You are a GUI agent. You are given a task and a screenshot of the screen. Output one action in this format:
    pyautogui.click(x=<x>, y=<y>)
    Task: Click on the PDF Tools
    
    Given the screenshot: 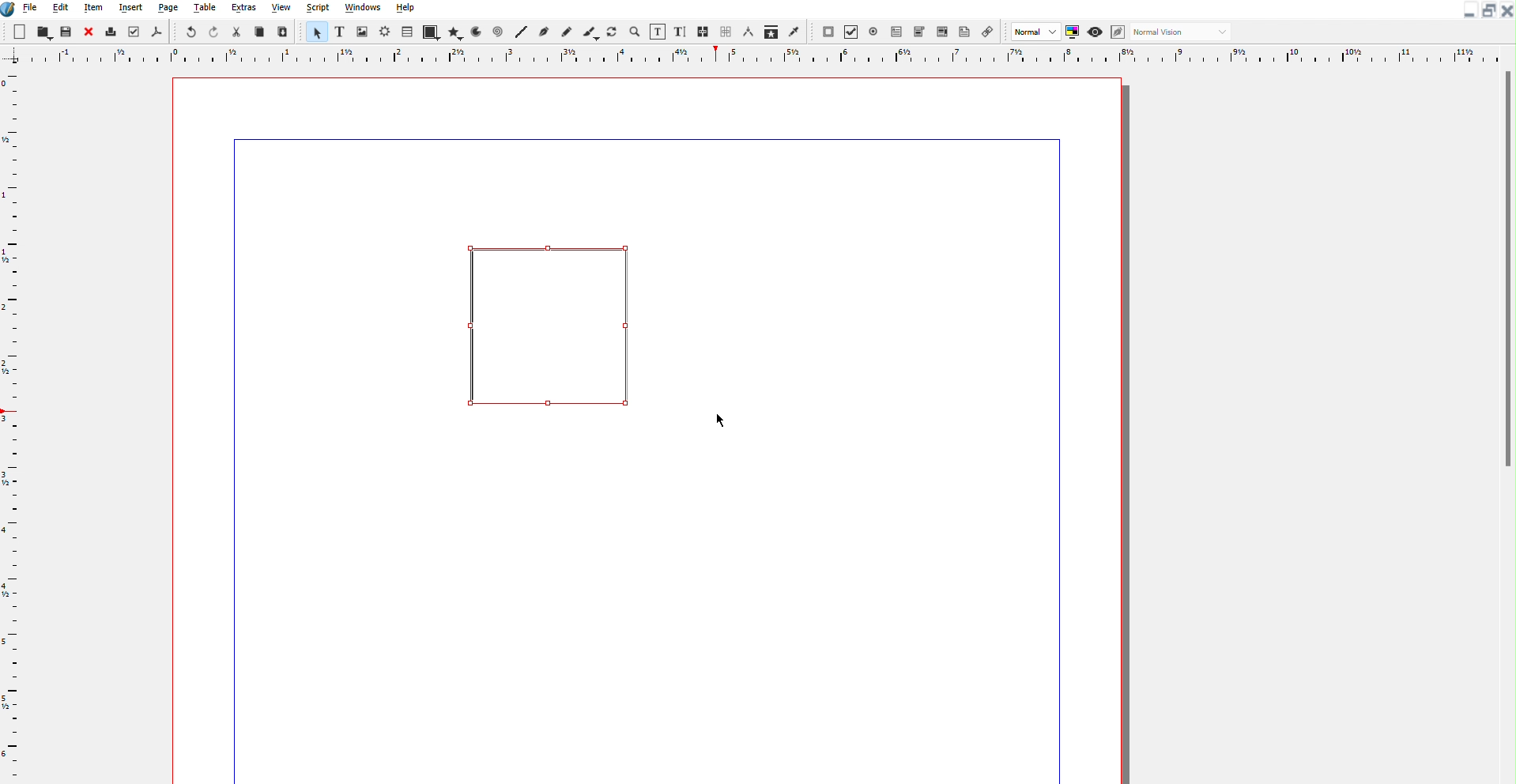 What is the action you would take?
    pyautogui.click(x=905, y=31)
    